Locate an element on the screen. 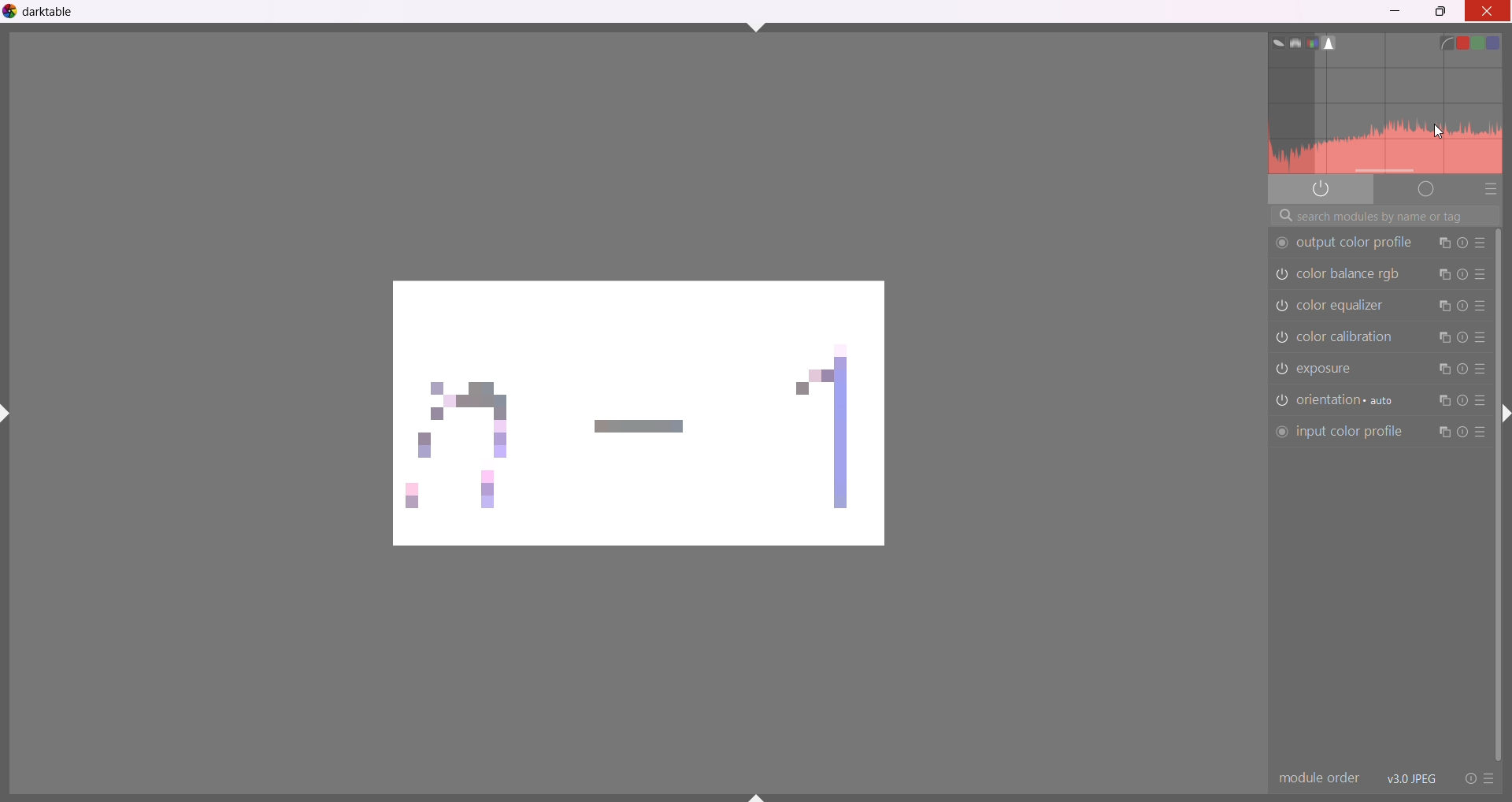  exposure is located at coordinates (1337, 370).